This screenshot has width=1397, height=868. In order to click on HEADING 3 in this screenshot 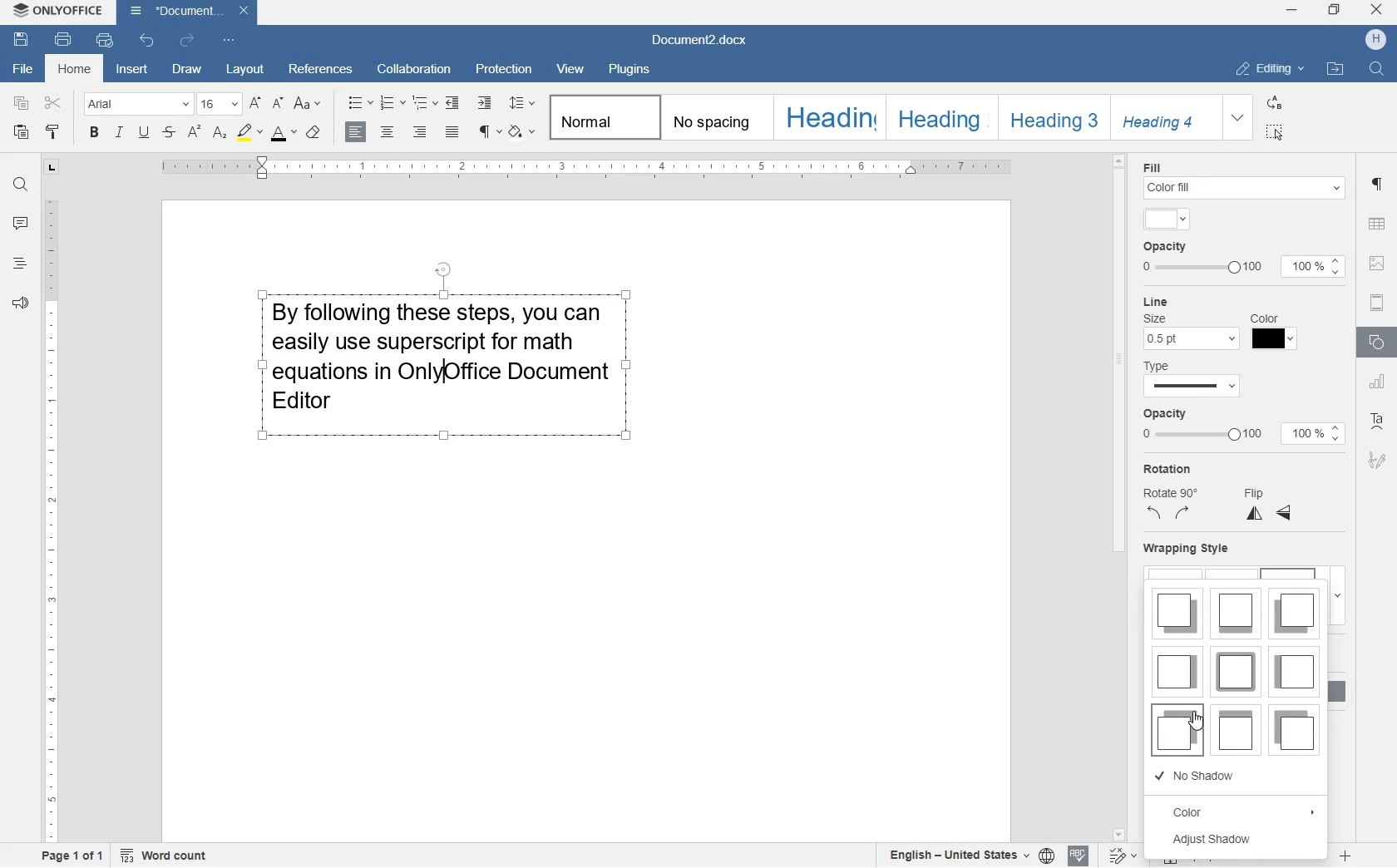, I will do `click(1050, 117)`.